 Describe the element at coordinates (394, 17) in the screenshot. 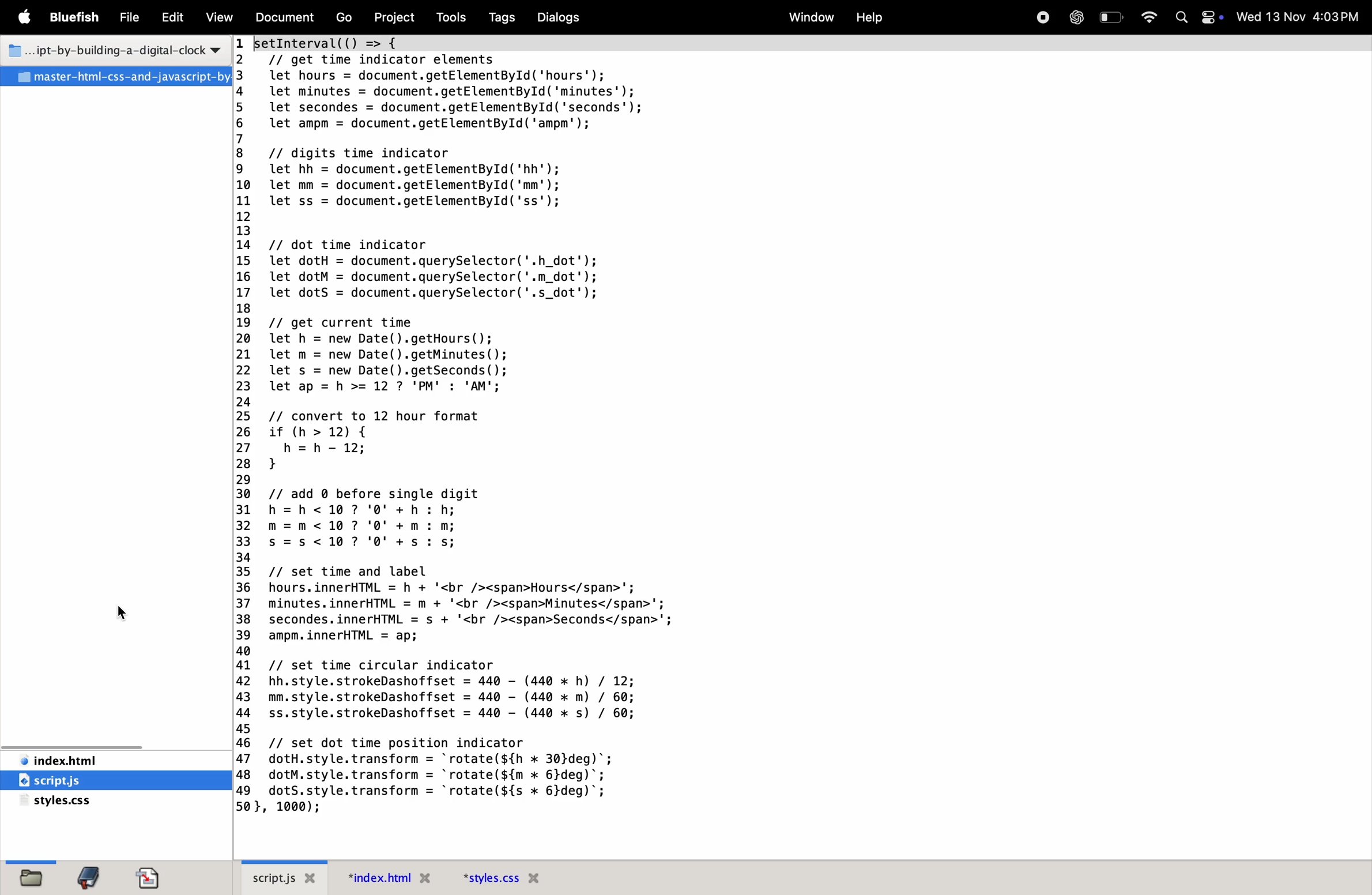

I see `Project` at that location.